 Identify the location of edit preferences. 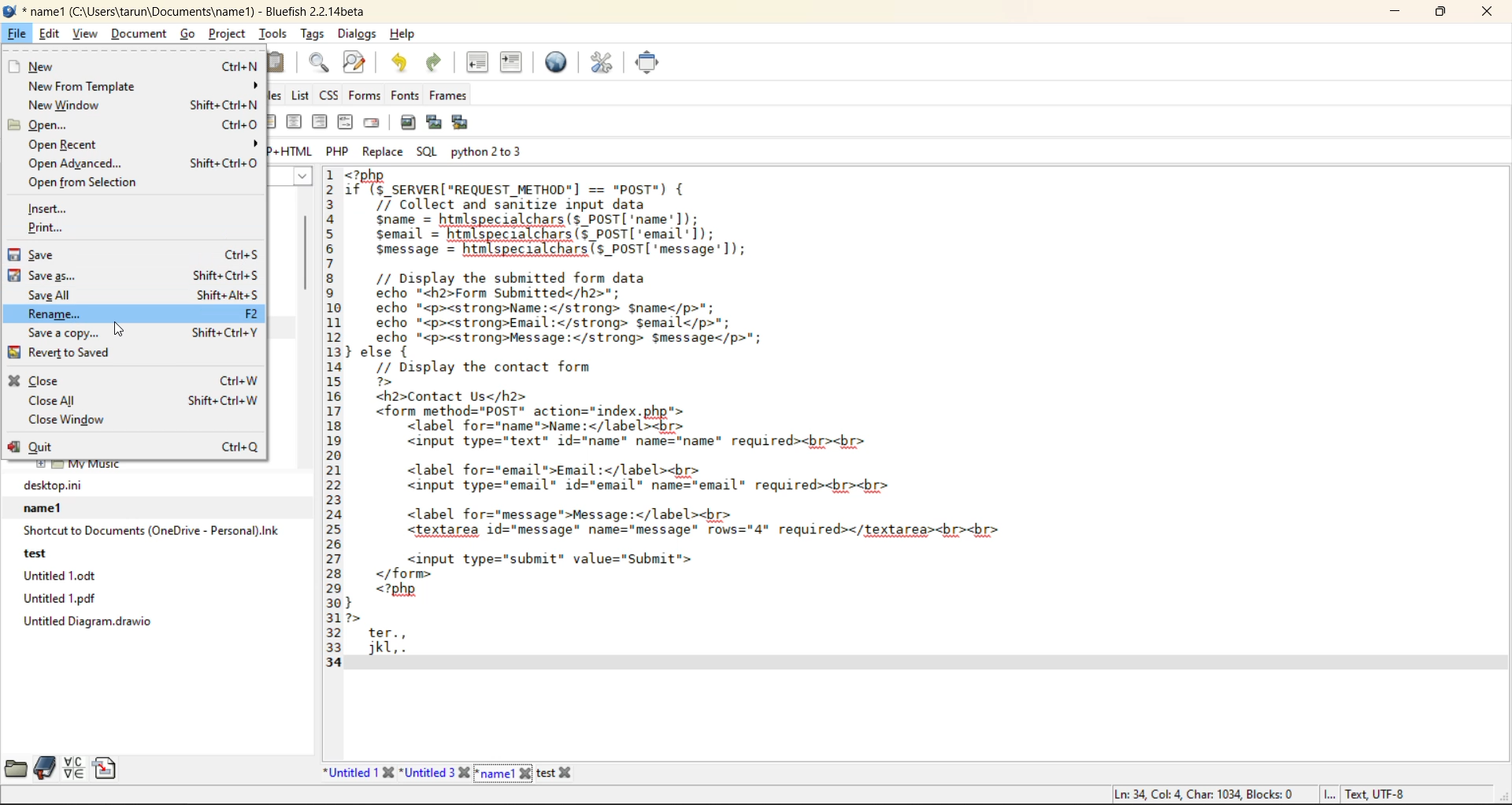
(605, 64).